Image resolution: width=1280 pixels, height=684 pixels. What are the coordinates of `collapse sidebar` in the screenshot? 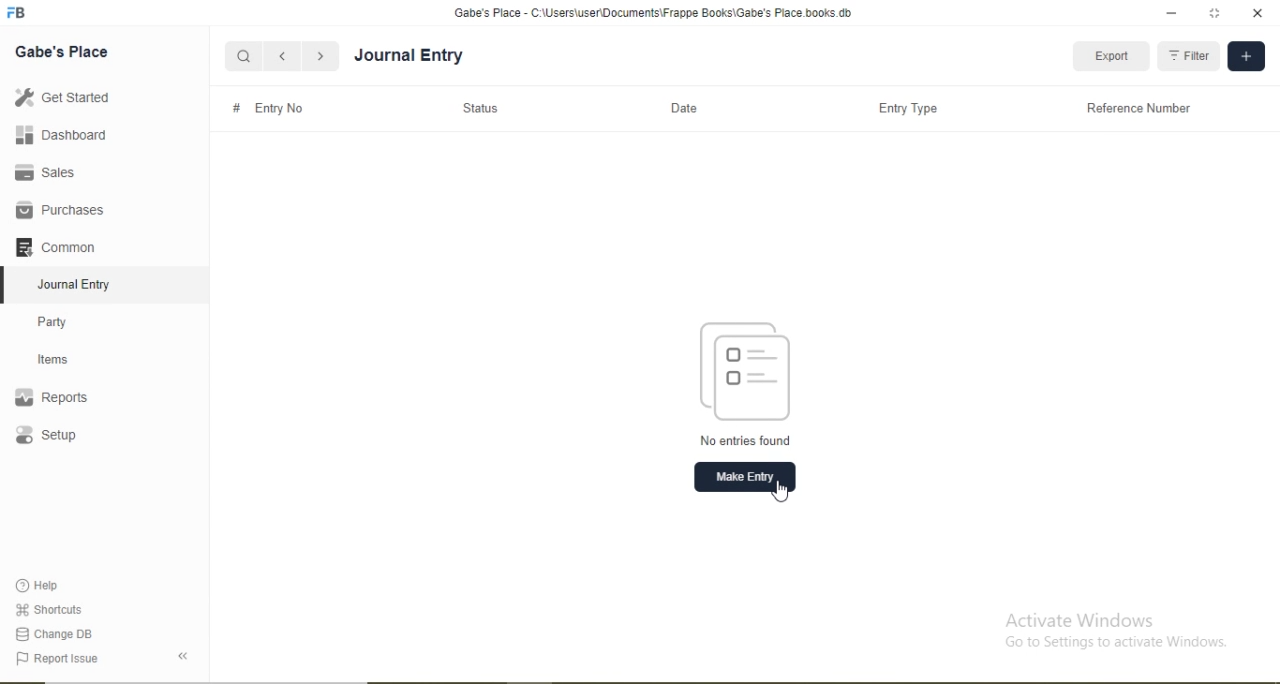 It's located at (186, 656).